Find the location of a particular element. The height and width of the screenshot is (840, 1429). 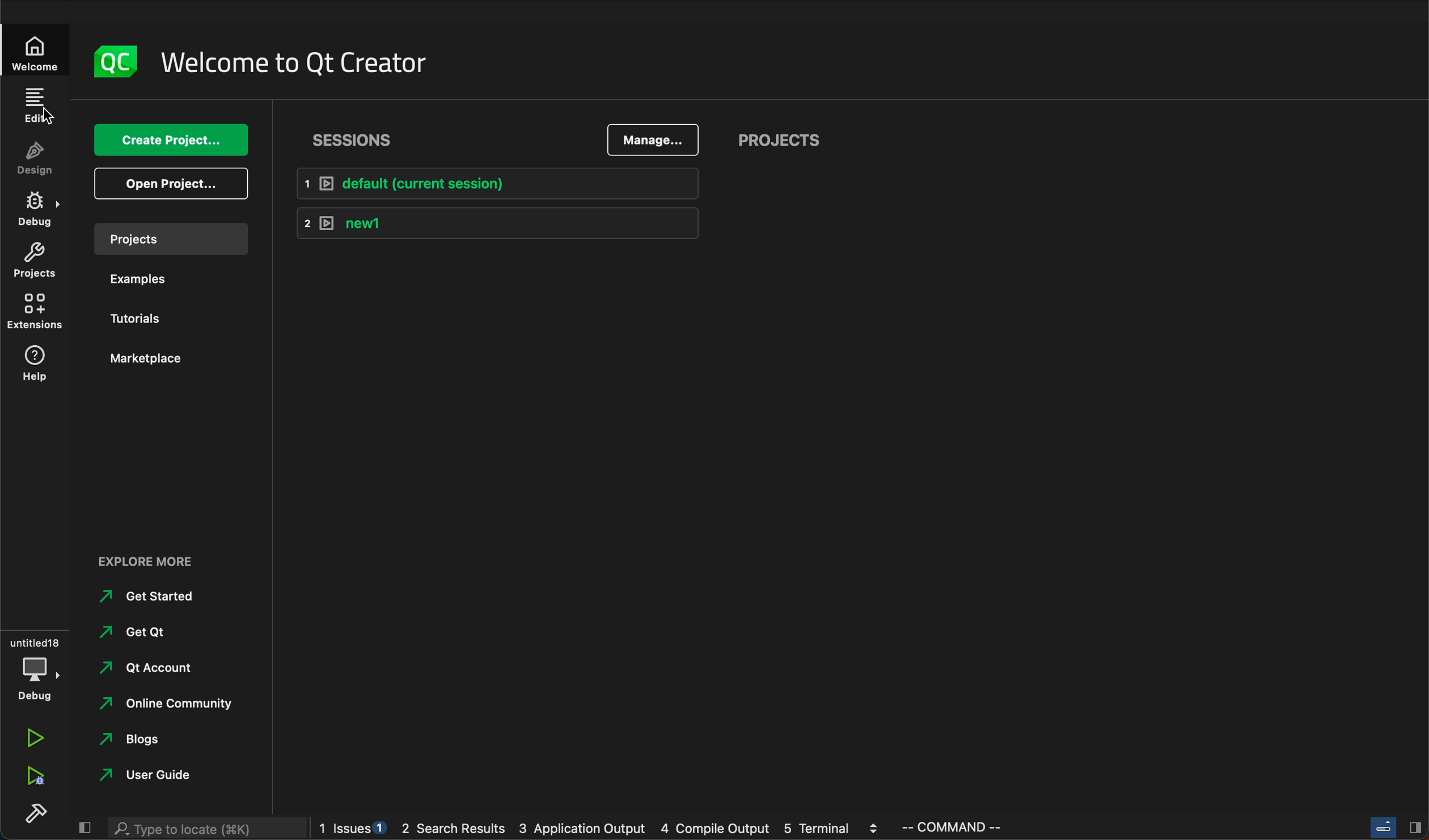

logs is located at coordinates (354, 829).